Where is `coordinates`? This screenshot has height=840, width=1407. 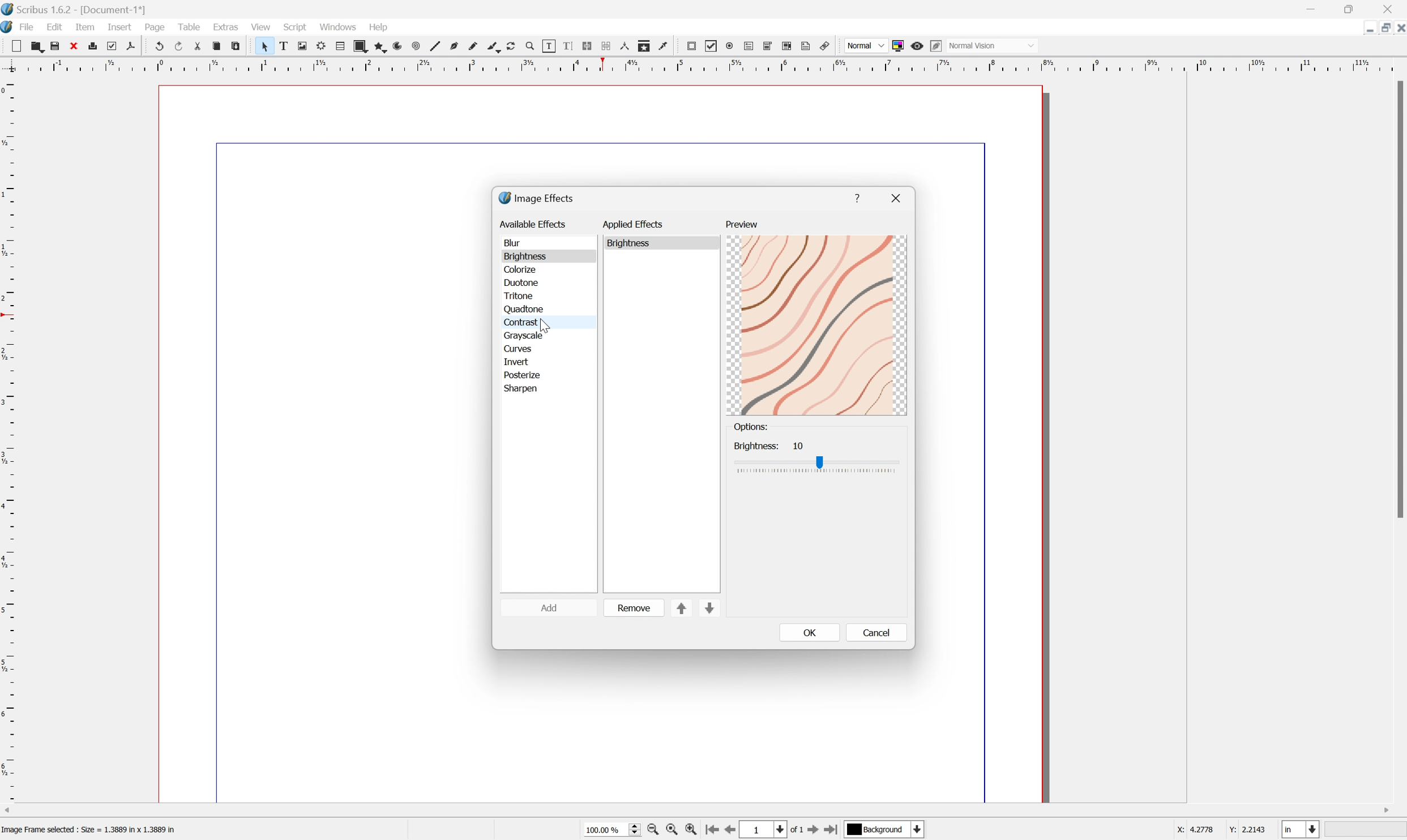
coordinates is located at coordinates (1221, 832).